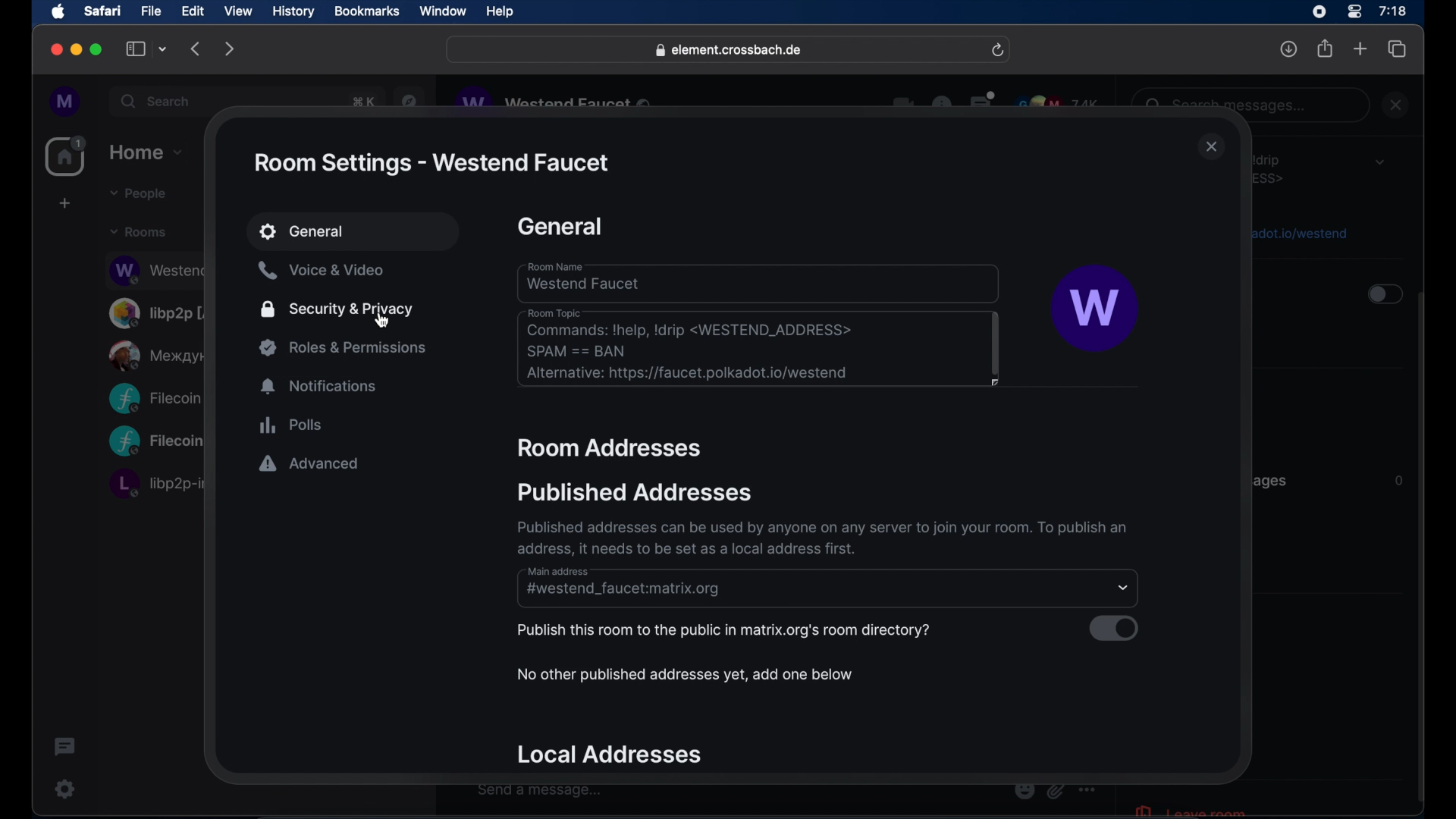 This screenshot has height=819, width=1456. I want to click on public room url, so click(624, 590).